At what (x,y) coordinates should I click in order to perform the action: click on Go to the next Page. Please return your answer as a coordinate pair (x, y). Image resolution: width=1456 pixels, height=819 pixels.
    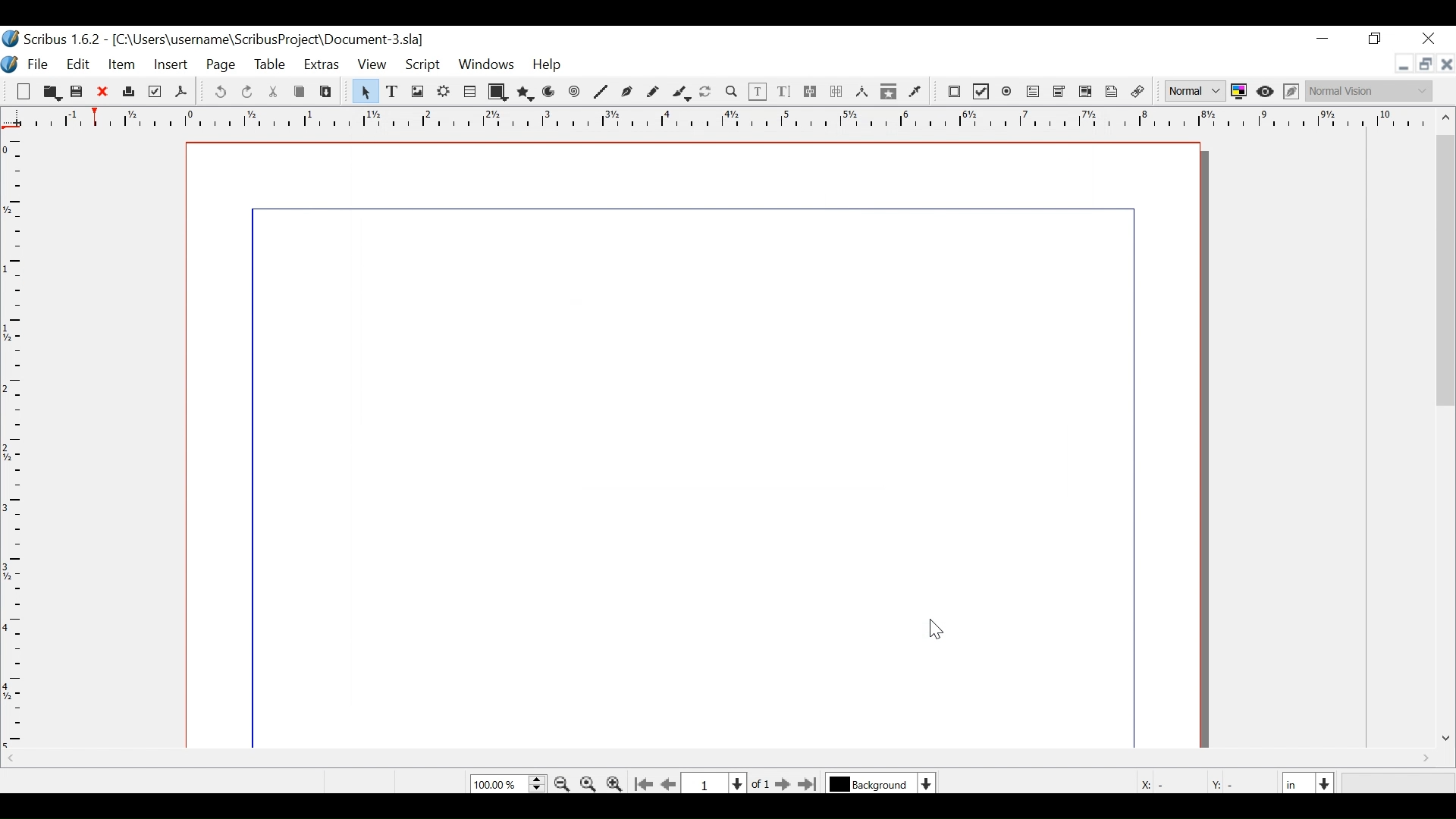
    Looking at the image, I should click on (779, 784).